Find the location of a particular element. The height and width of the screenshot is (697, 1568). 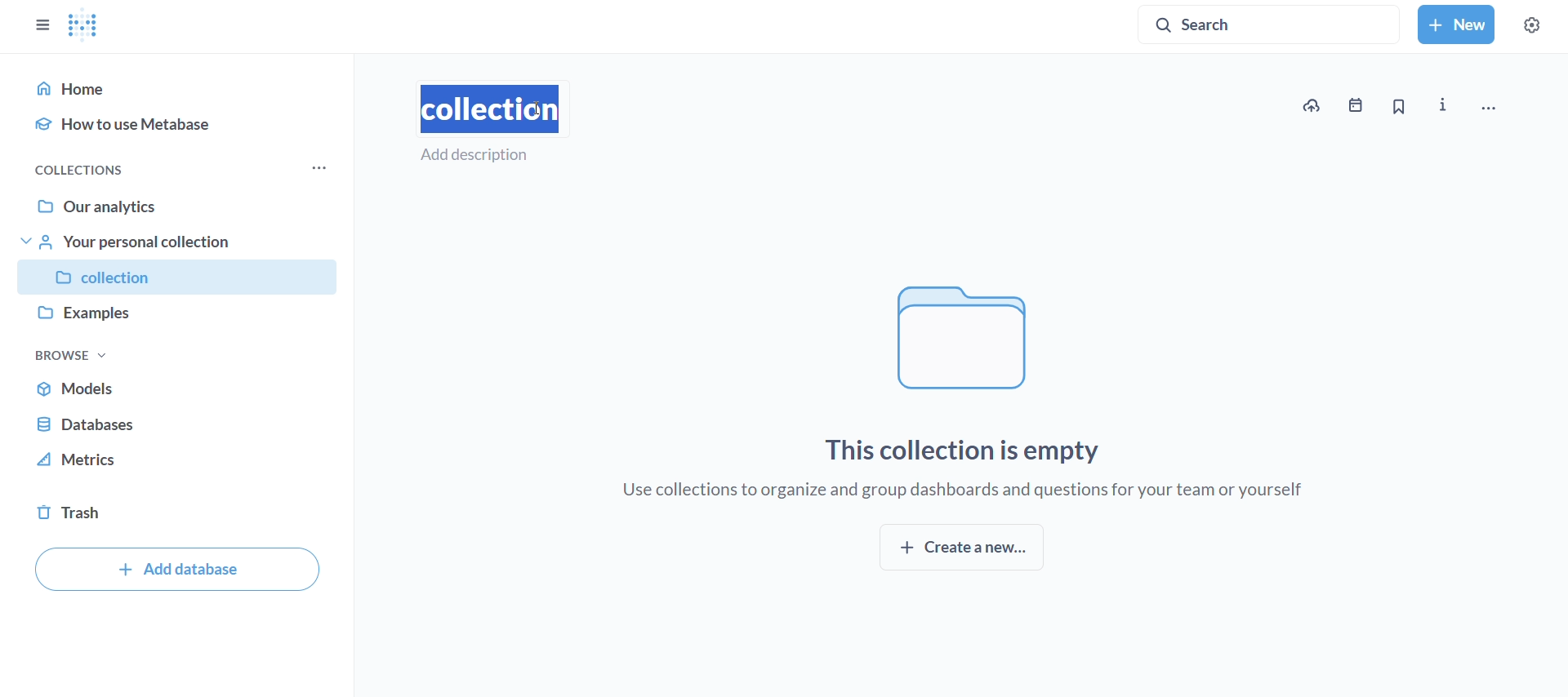

bookmark is located at coordinates (1399, 108).